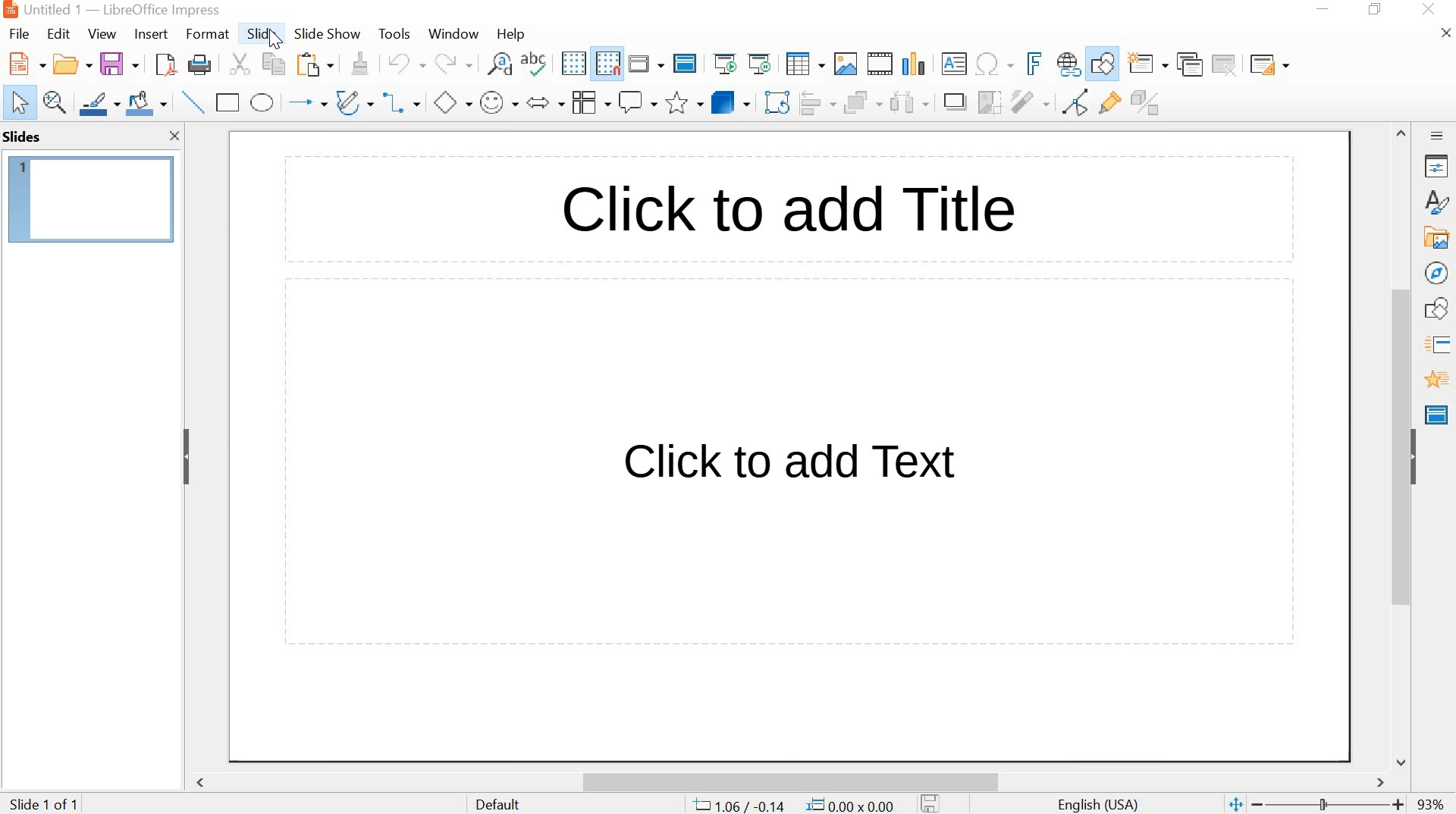  What do you see at coordinates (820, 102) in the screenshot?
I see `Align objects` at bounding box center [820, 102].